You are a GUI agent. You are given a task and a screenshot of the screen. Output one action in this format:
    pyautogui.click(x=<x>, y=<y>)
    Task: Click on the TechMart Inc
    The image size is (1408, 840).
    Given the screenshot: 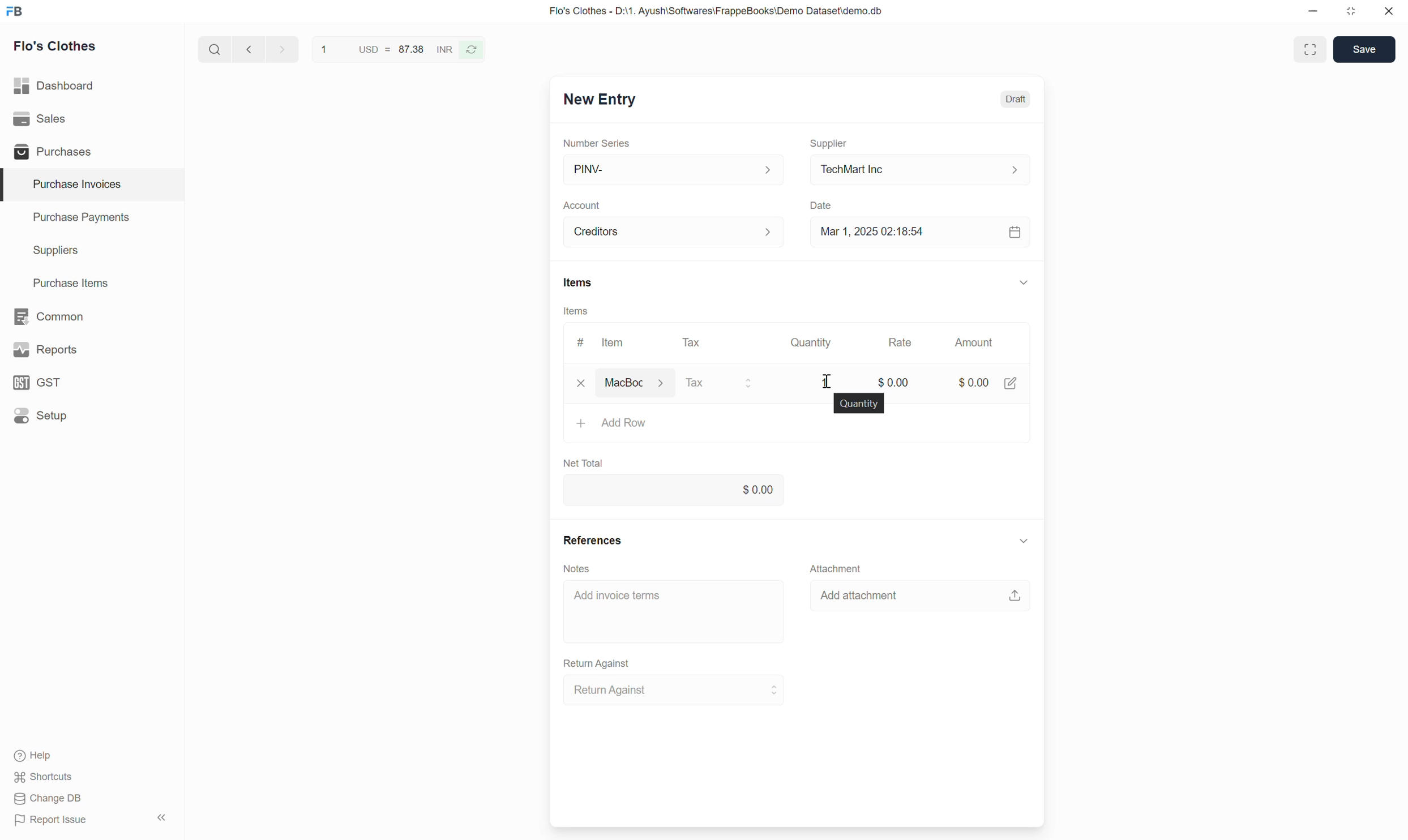 What is the action you would take?
    pyautogui.click(x=921, y=170)
    